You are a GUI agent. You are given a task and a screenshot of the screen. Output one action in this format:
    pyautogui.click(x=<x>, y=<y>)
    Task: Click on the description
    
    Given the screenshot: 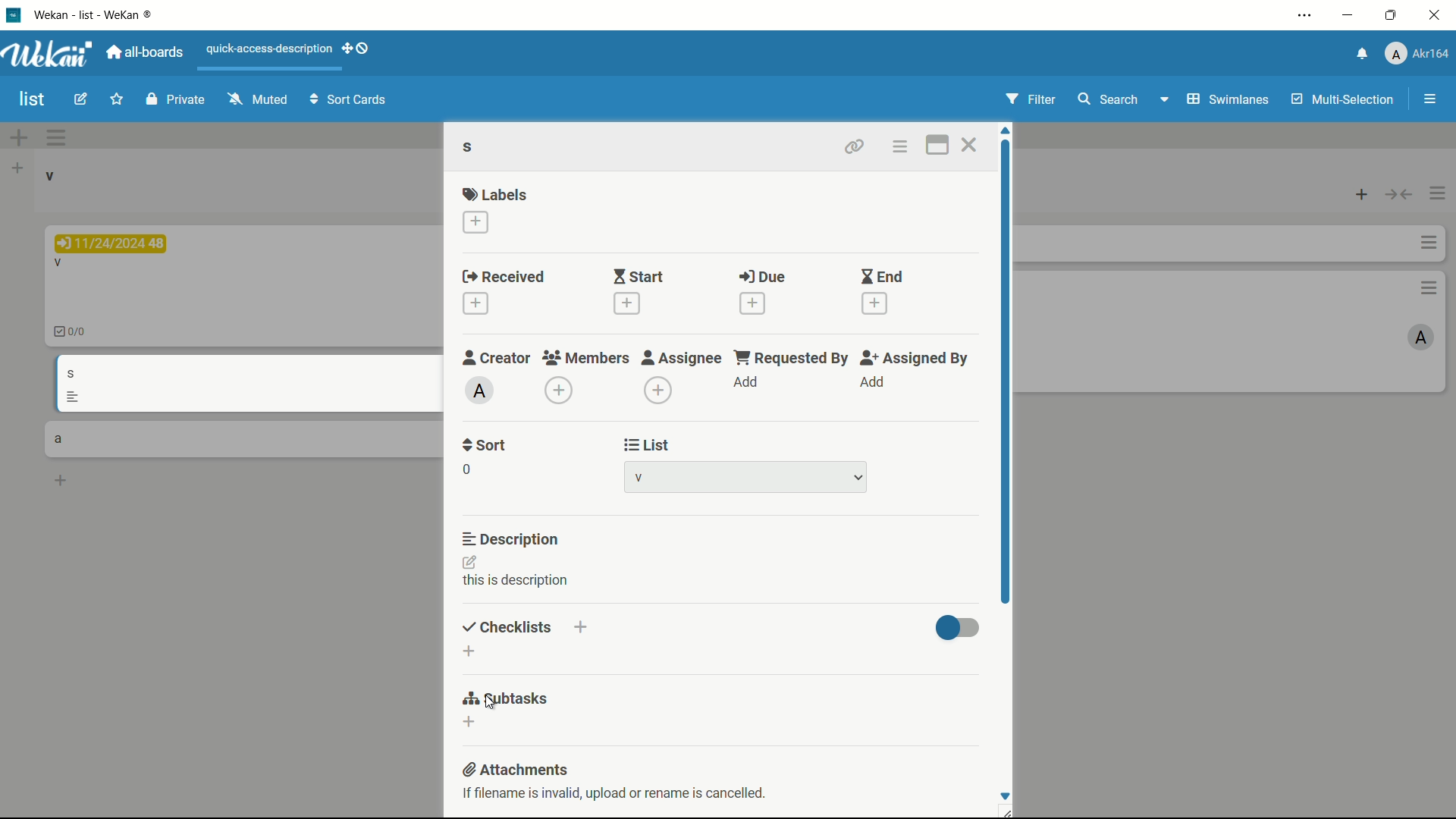 What is the action you would take?
    pyautogui.click(x=510, y=538)
    